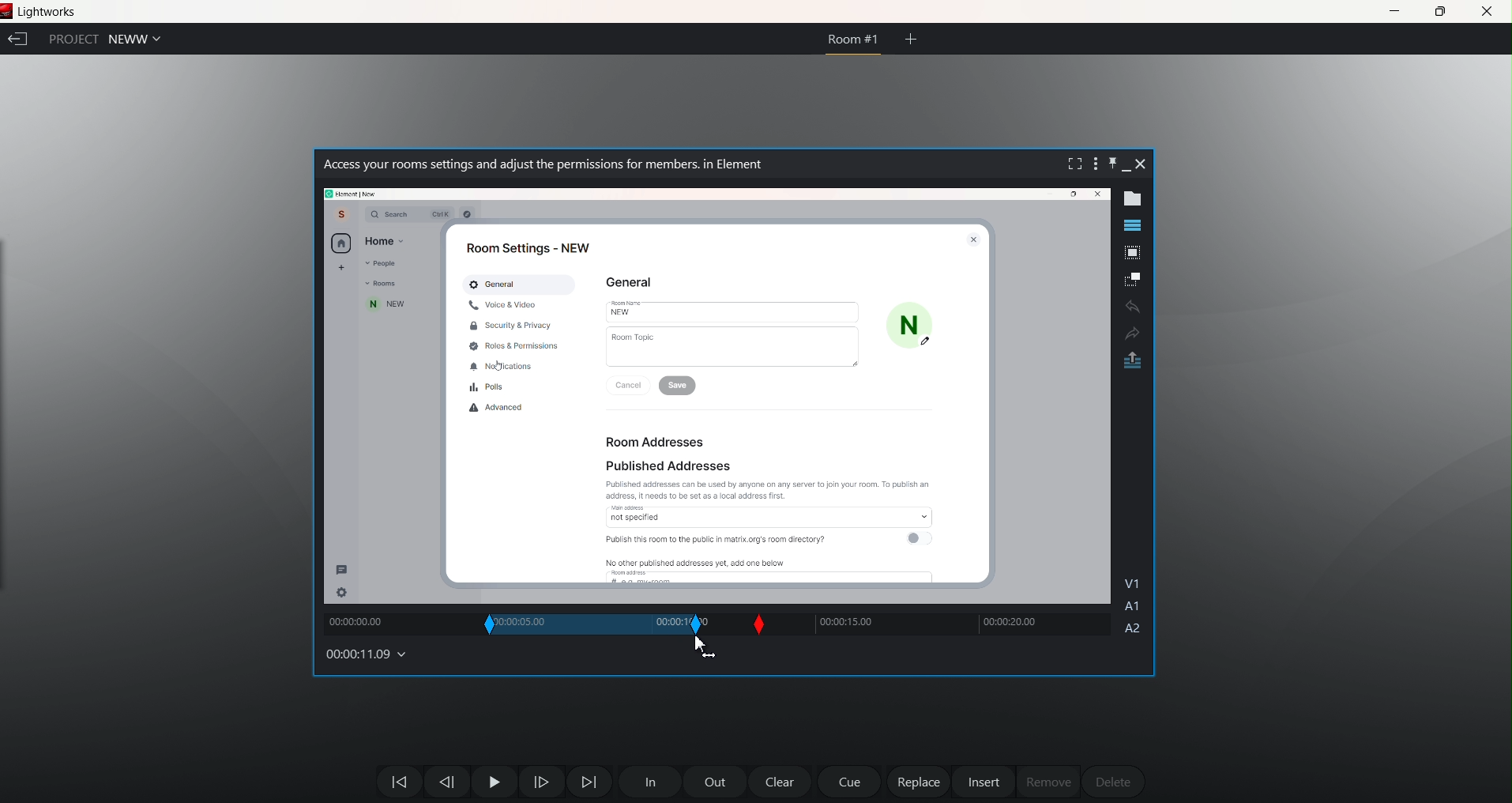 Image resolution: width=1512 pixels, height=803 pixels. I want to click on track, so click(943, 626).